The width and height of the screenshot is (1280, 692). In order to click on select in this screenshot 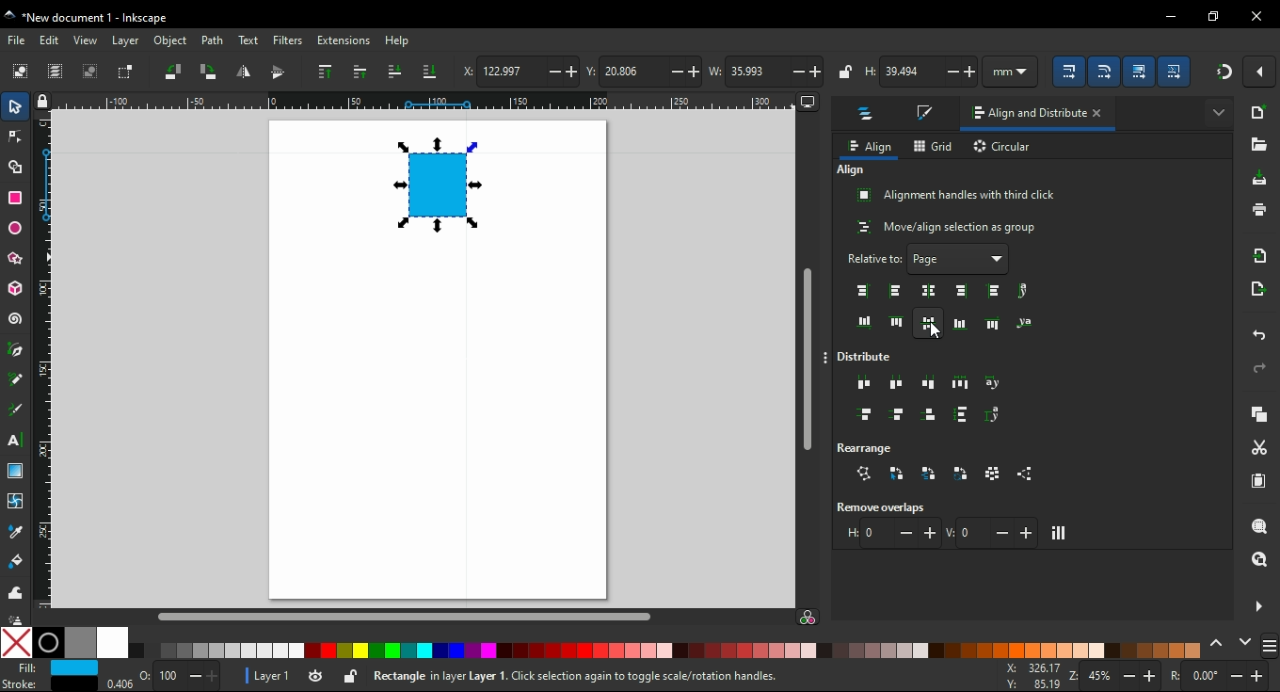, I will do `click(17, 109)`.